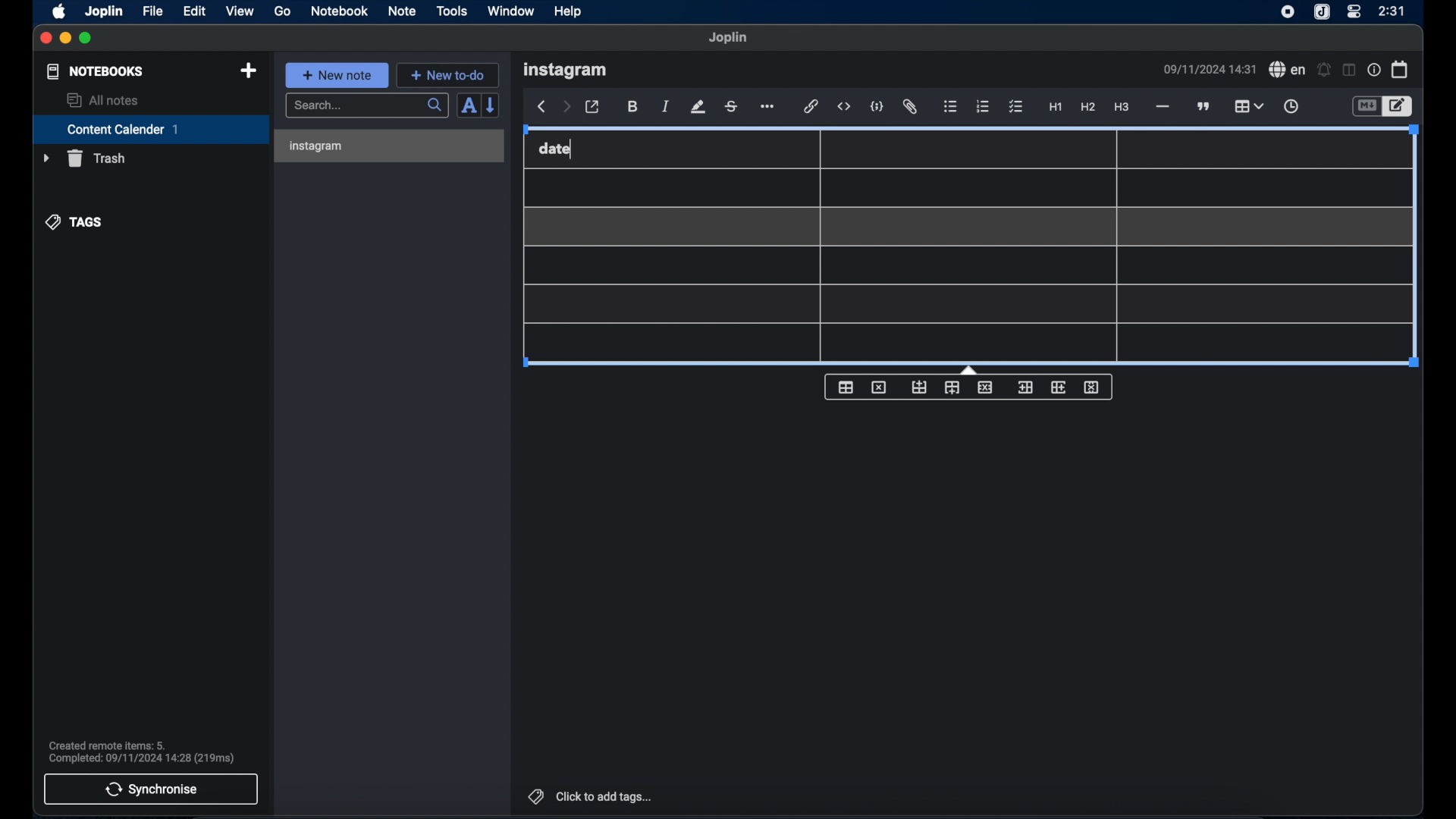 Image resolution: width=1456 pixels, height=819 pixels. Describe the element at coordinates (402, 12) in the screenshot. I see `note` at that location.